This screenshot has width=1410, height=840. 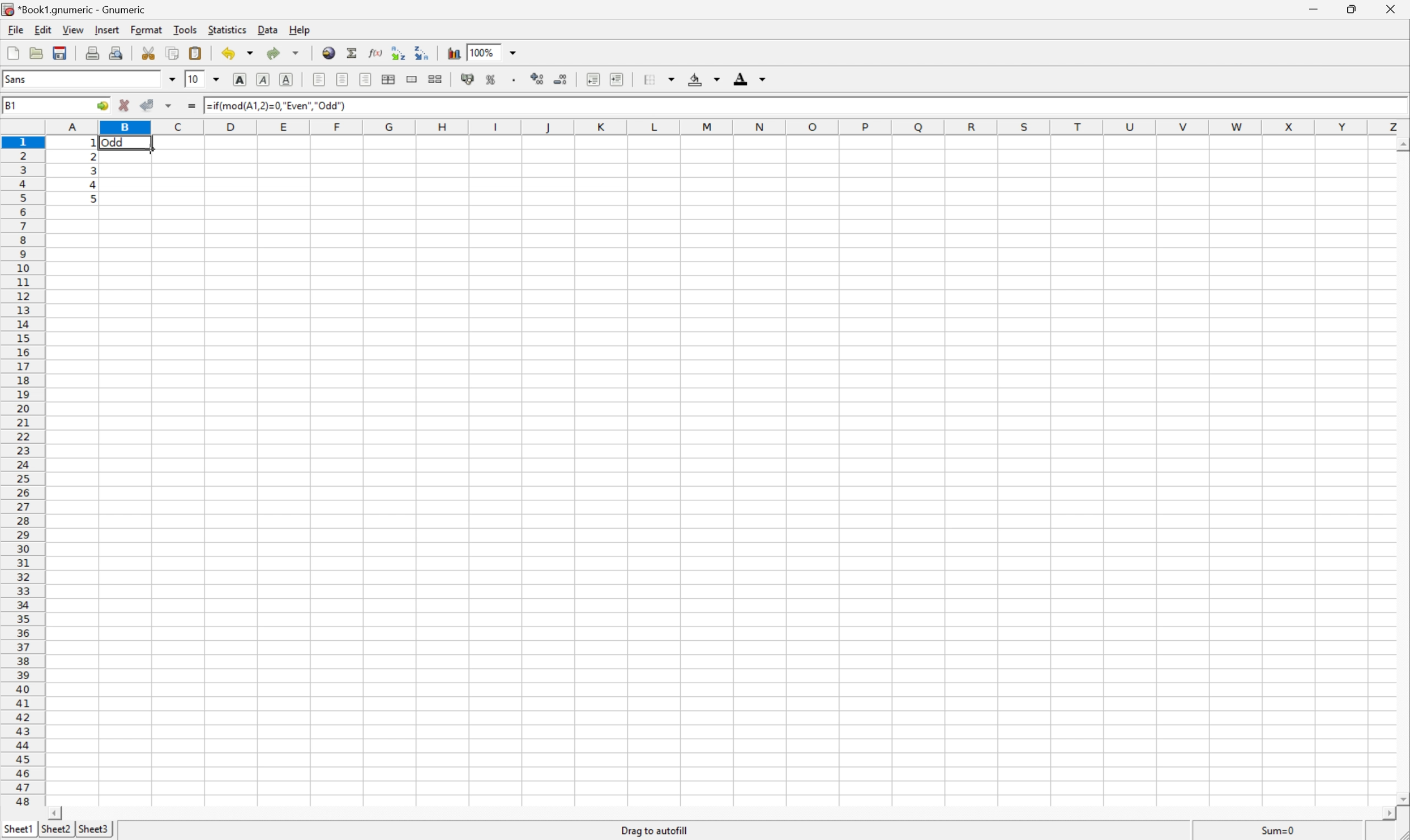 I want to click on Italic, so click(x=261, y=80).